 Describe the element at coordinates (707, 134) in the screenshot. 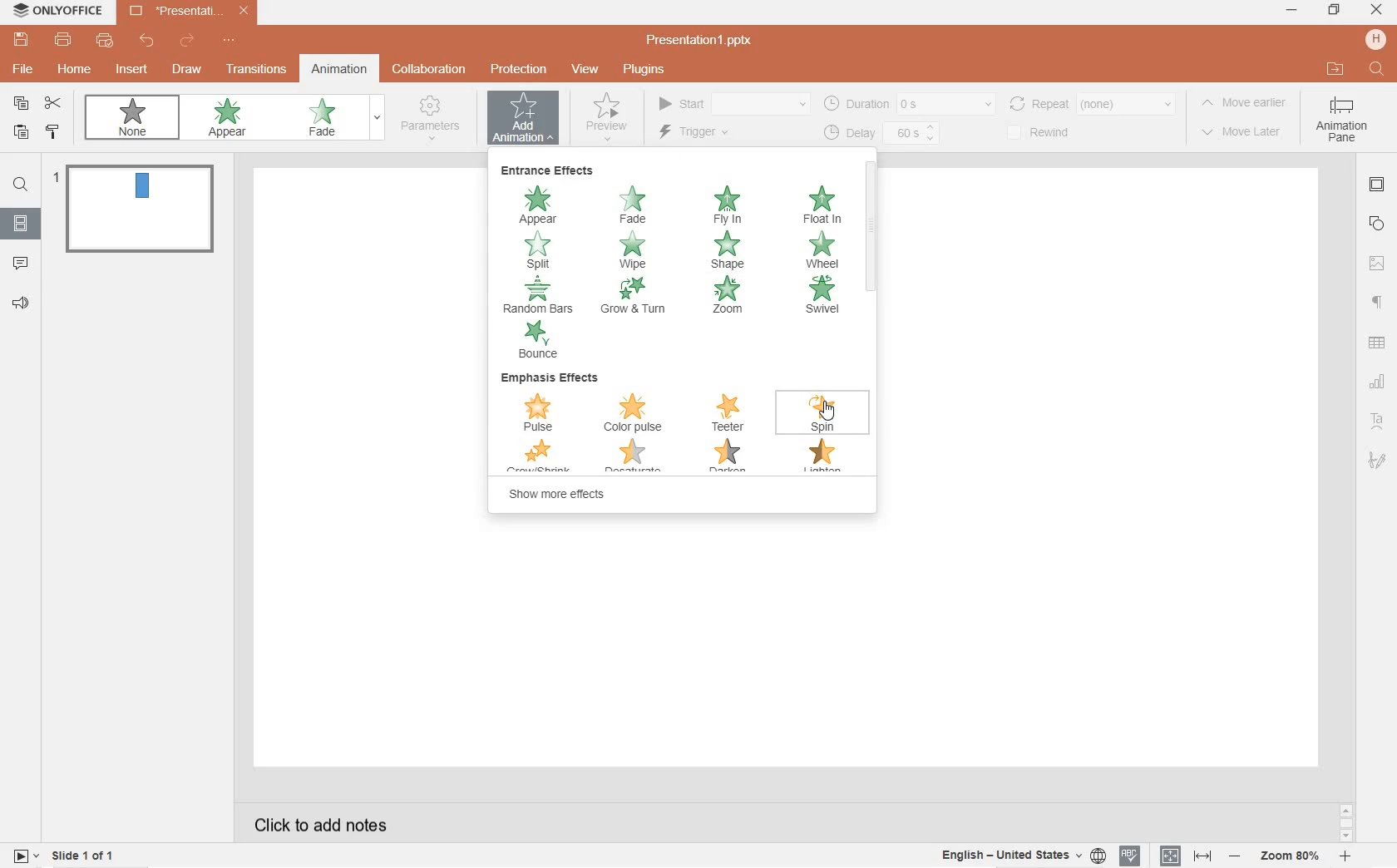

I see `trigger` at that location.